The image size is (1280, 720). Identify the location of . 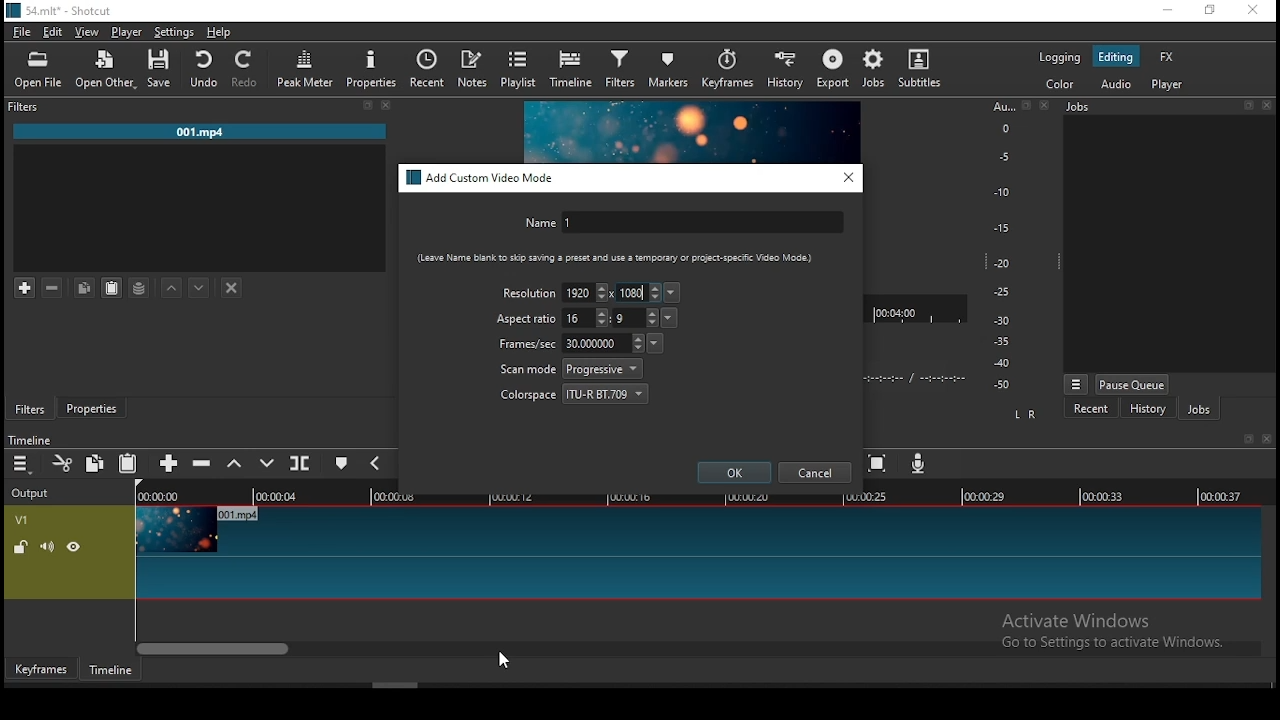
(1270, 439).